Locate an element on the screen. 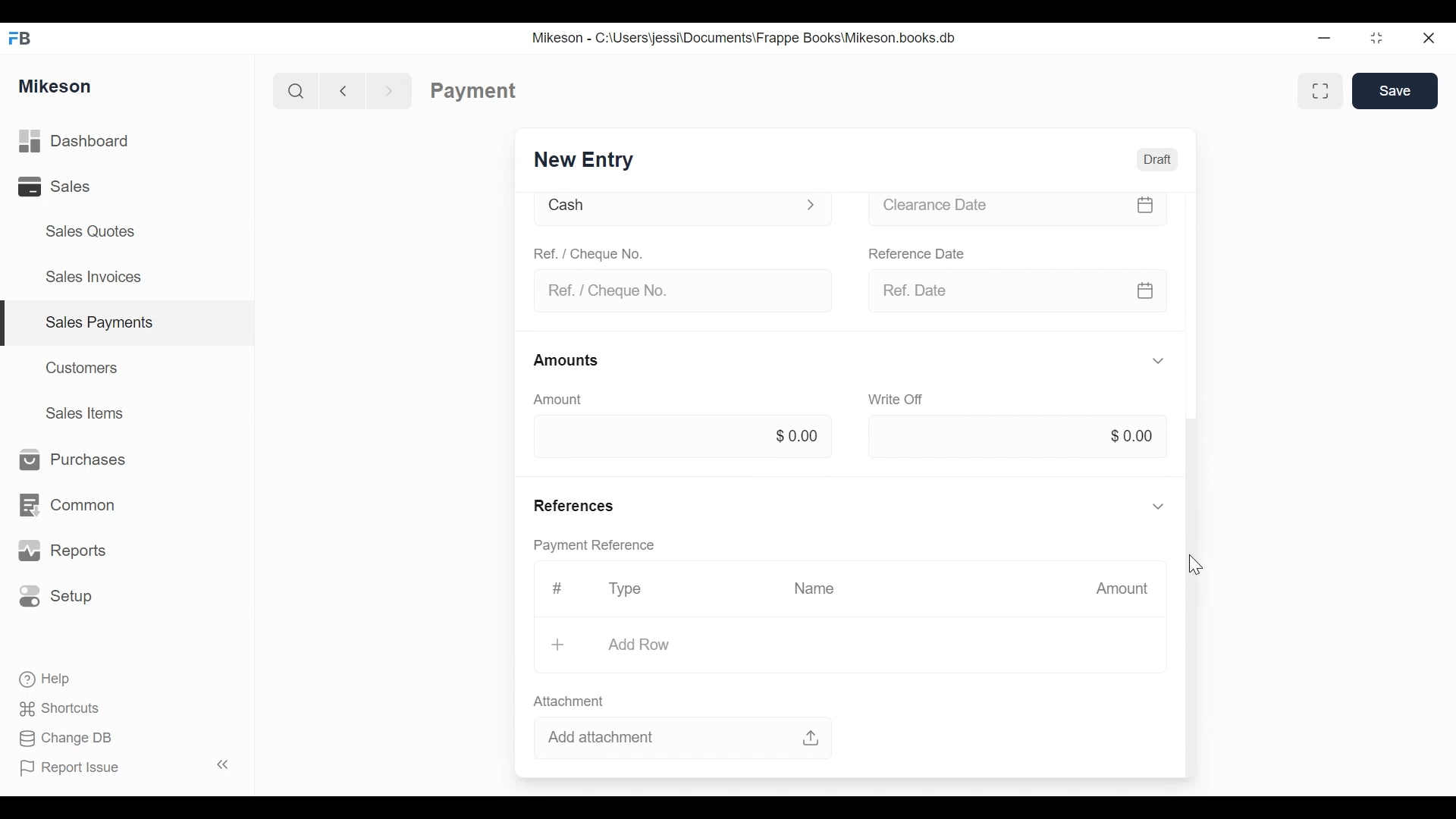 The image size is (1456, 819). clearance date is located at coordinates (934, 205).